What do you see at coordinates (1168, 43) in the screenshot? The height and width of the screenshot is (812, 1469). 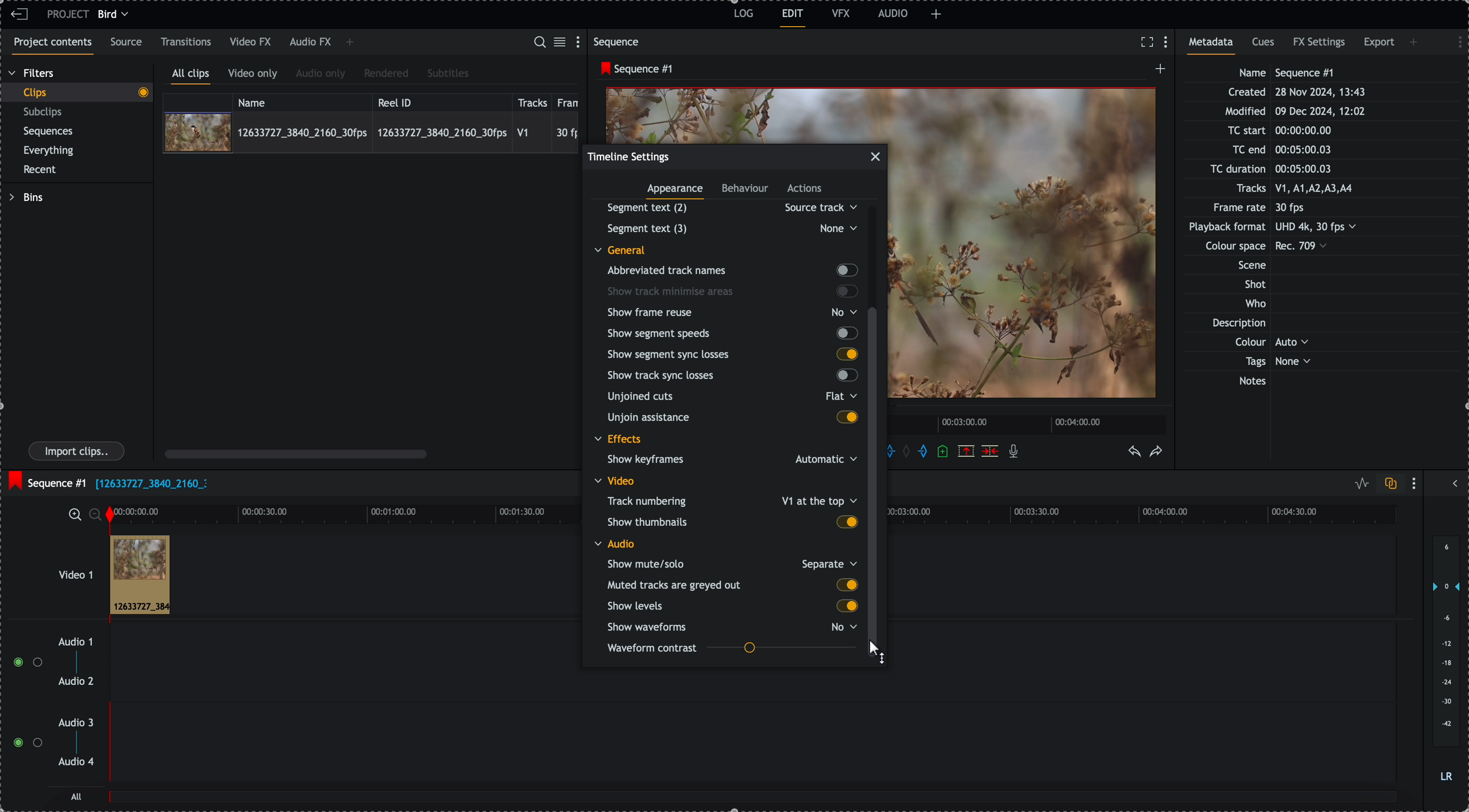 I see `show settings menu` at bounding box center [1168, 43].